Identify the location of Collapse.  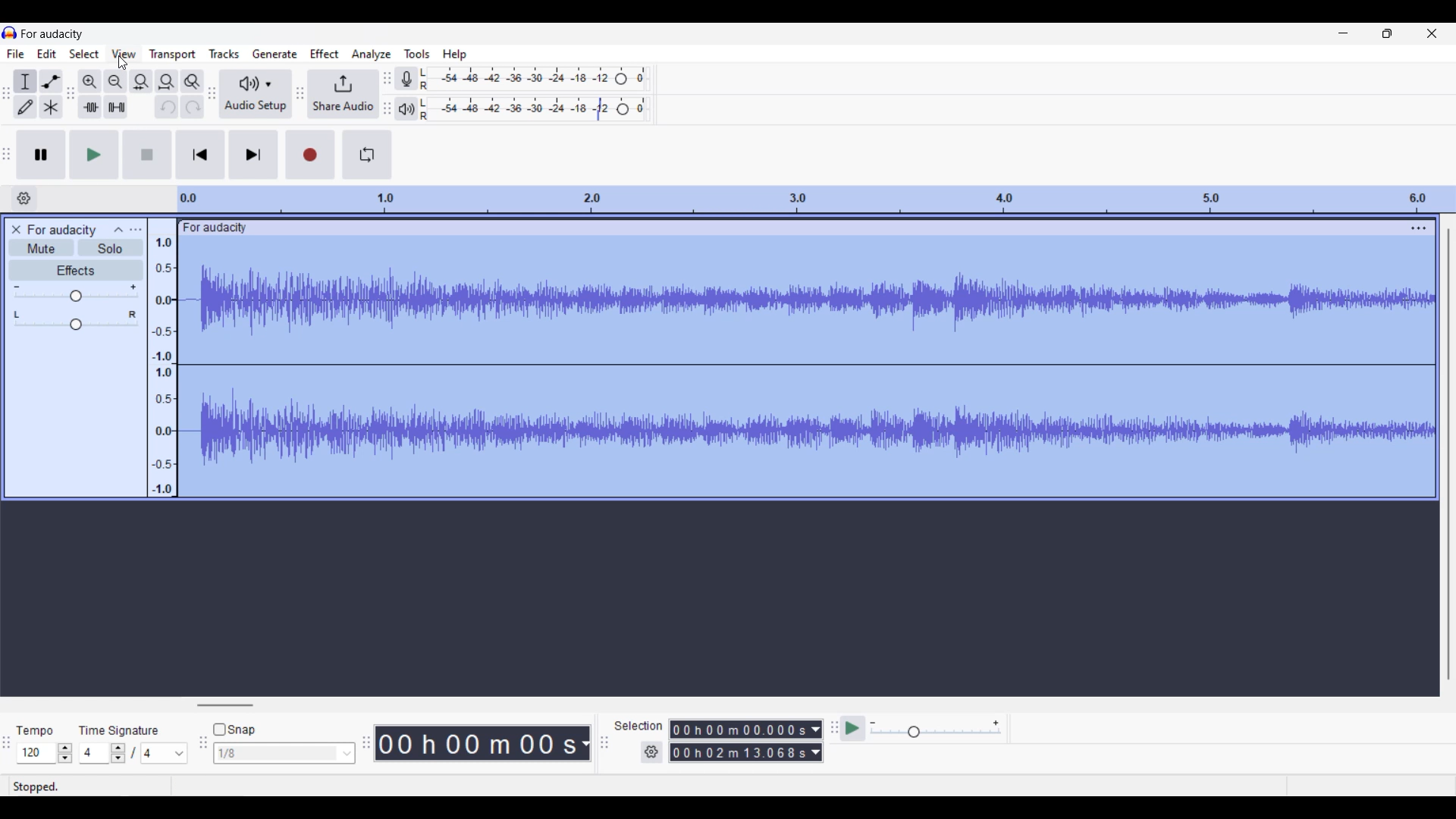
(119, 230).